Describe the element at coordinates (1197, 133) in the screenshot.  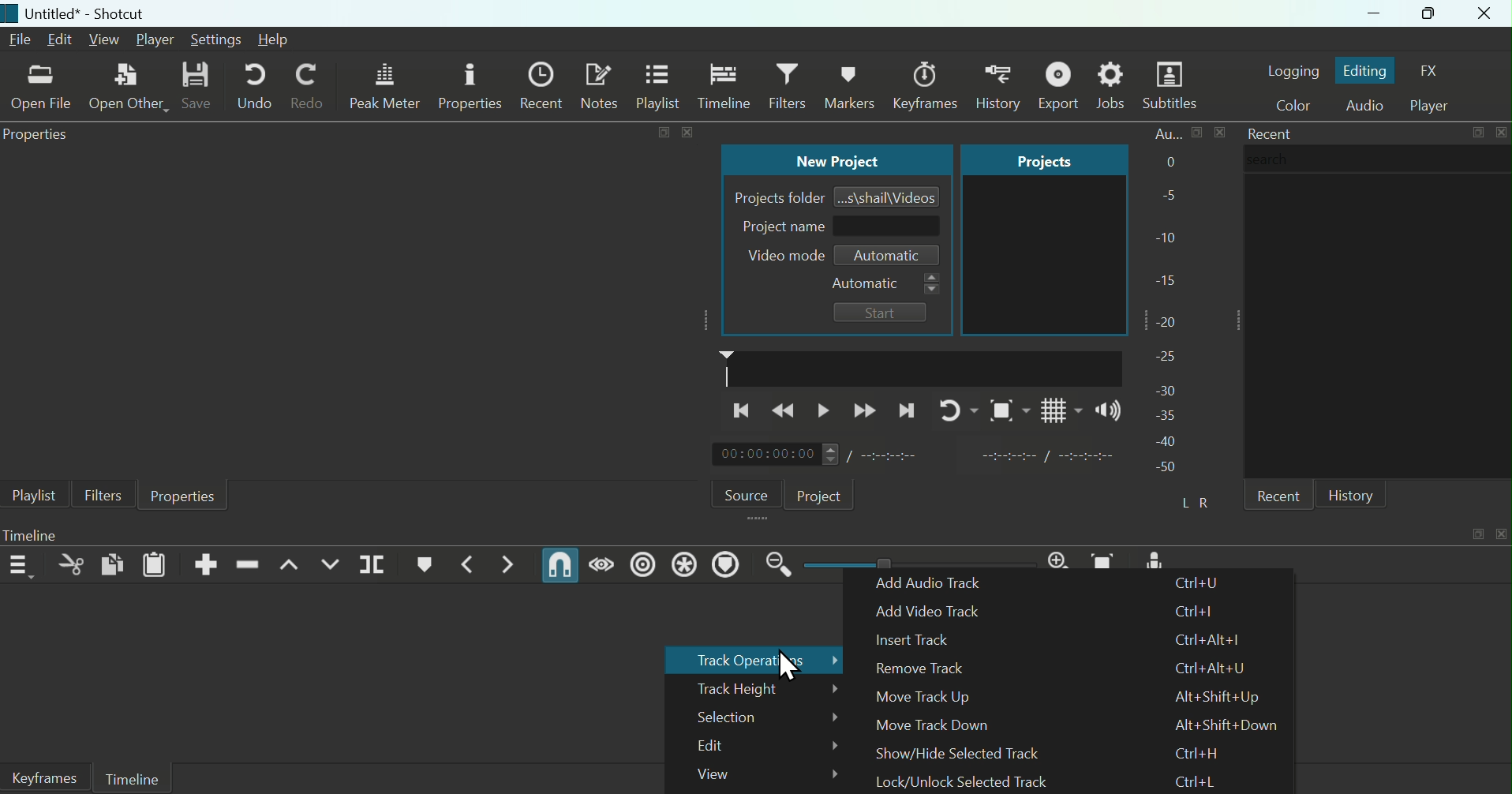
I see `make bigger` at that location.